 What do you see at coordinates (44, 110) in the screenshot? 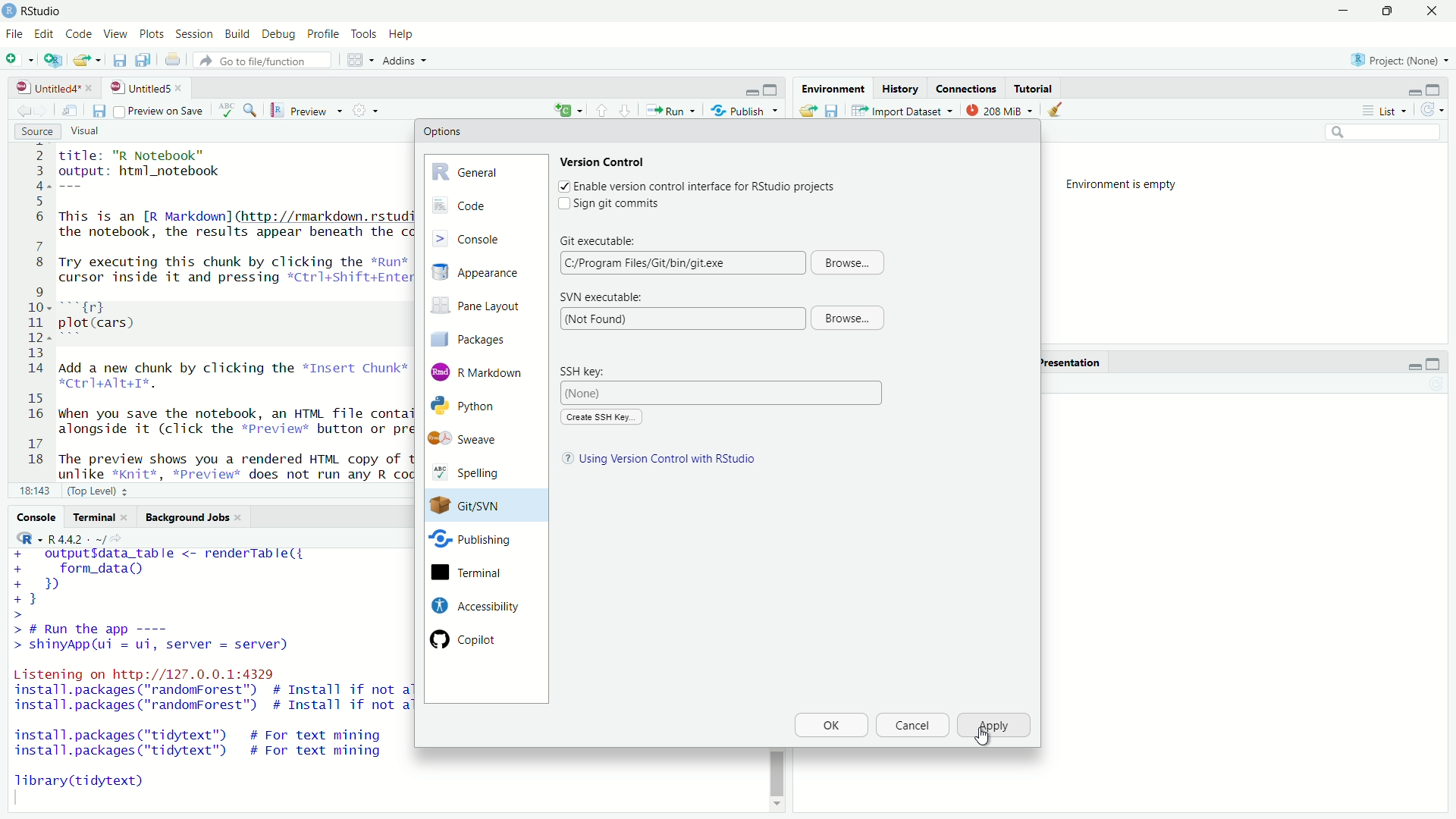
I see `move backward` at bounding box center [44, 110].